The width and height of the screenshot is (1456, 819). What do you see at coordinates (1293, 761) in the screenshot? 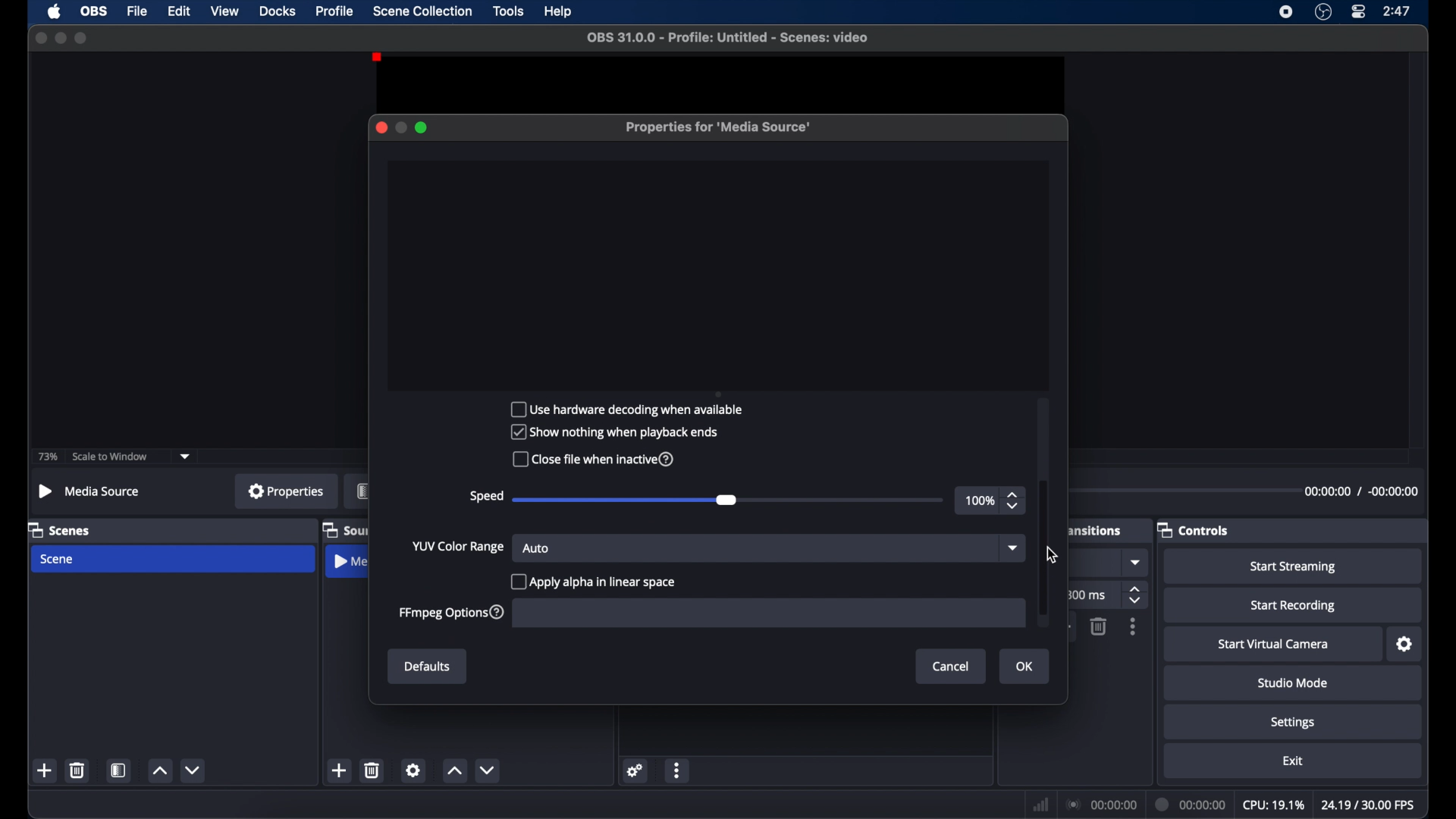
I see `exit ` at bounding box center [1293, 761].